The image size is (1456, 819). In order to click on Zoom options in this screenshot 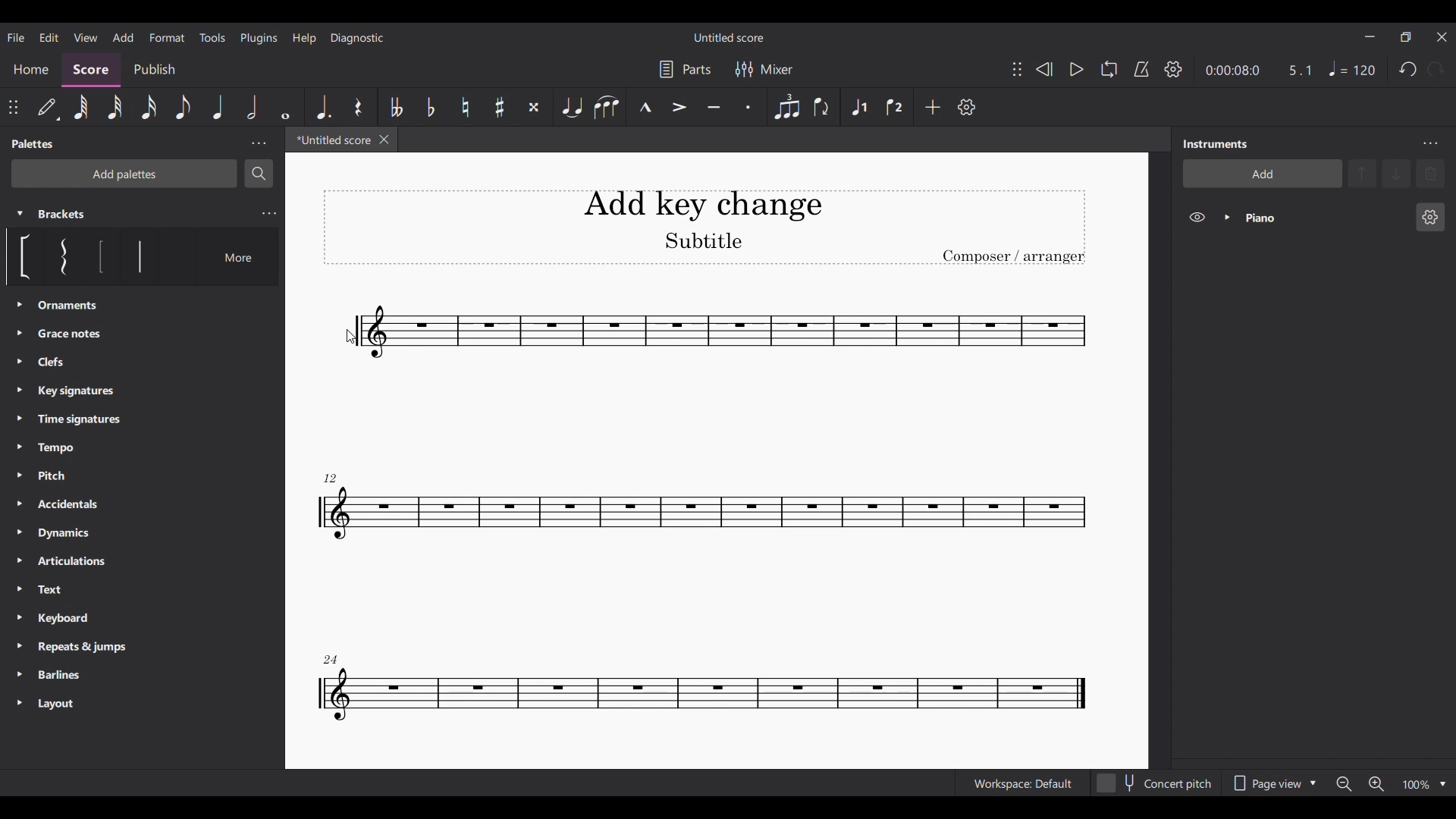, I will do `click(1442, 785)`.